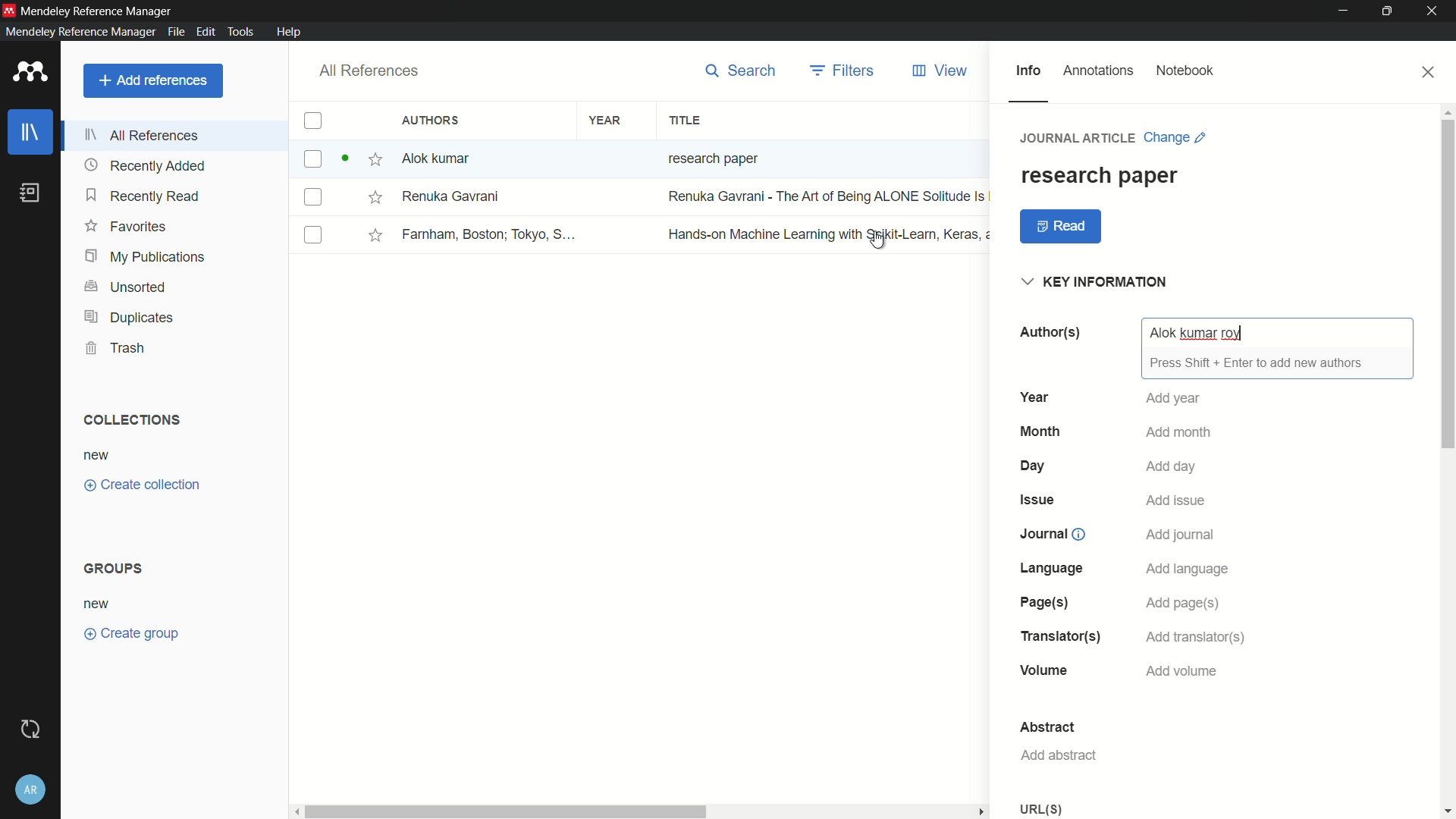 Image resolution: width=1456 pixels, height=819 pixels. Describe the element at coordinates (606, 121) in the screenshot. I see `year` at that location.